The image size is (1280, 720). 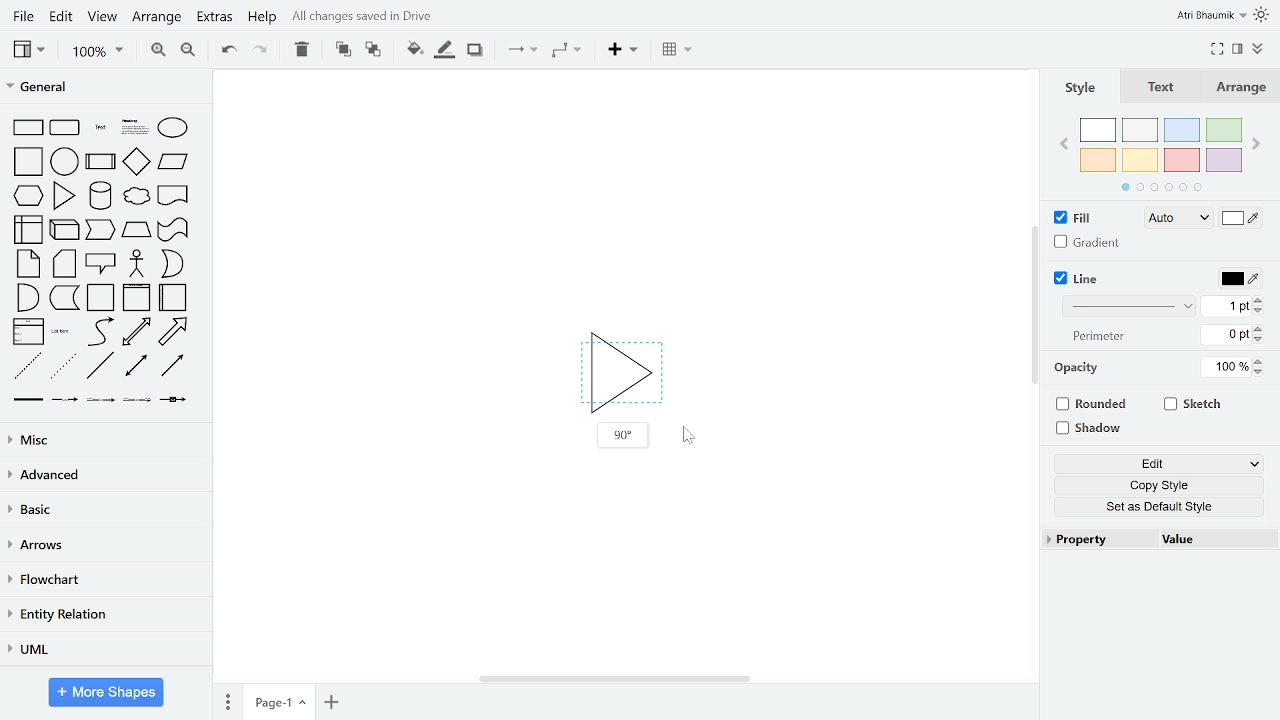 I want to click on document, so click(x=173, y=194).